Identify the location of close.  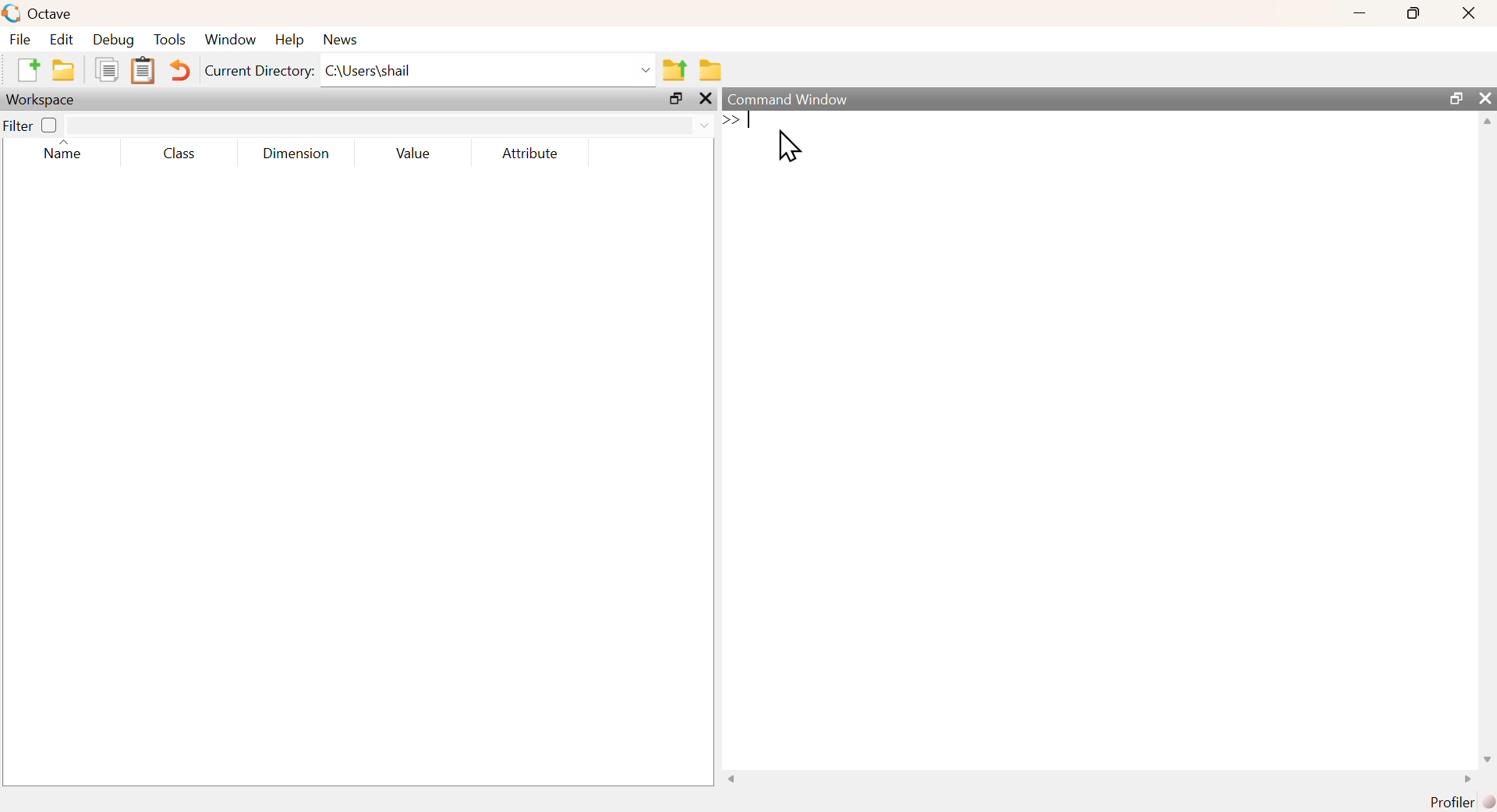
(1485, 97).